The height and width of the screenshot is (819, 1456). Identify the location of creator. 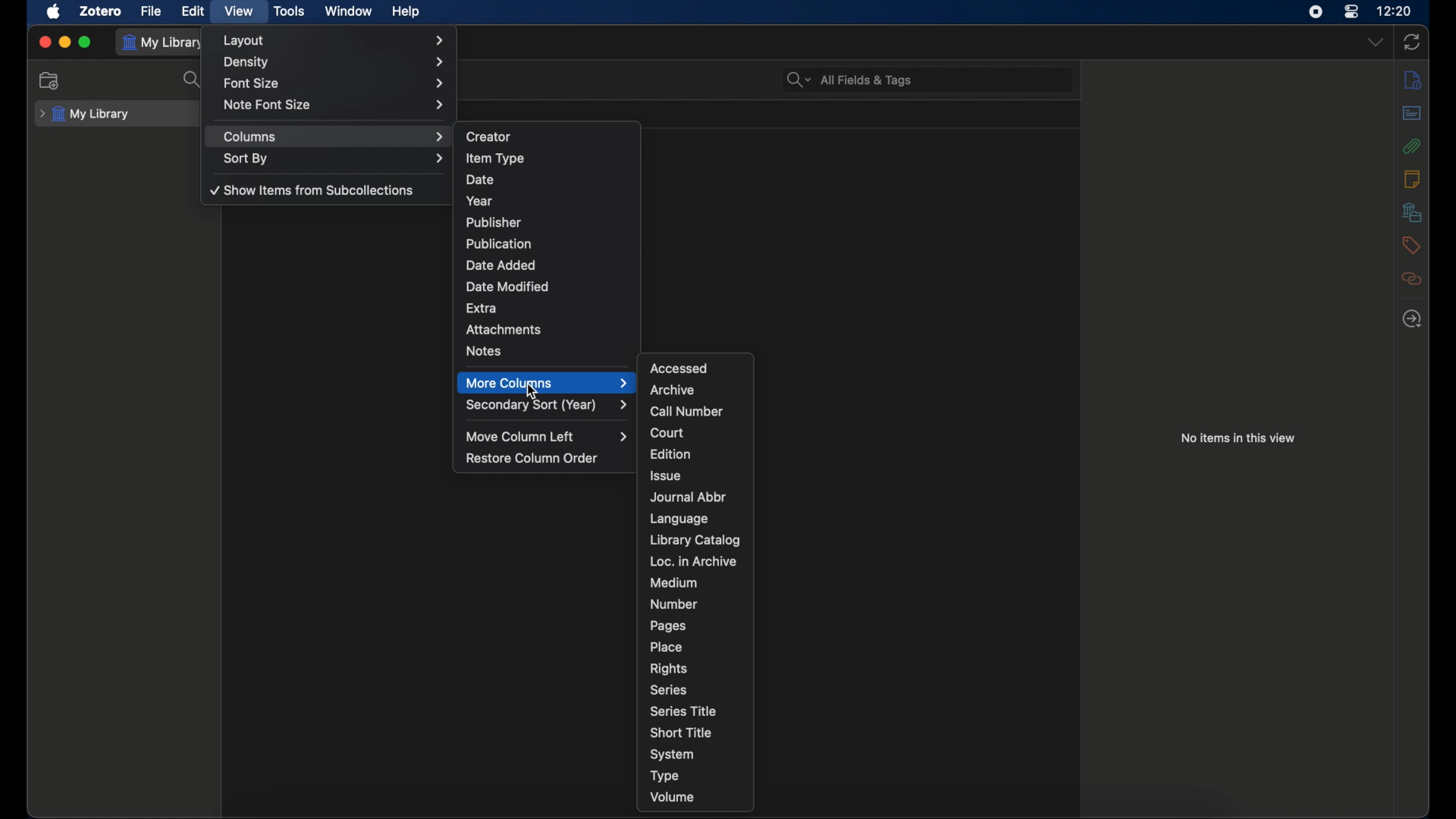
(487, 137).